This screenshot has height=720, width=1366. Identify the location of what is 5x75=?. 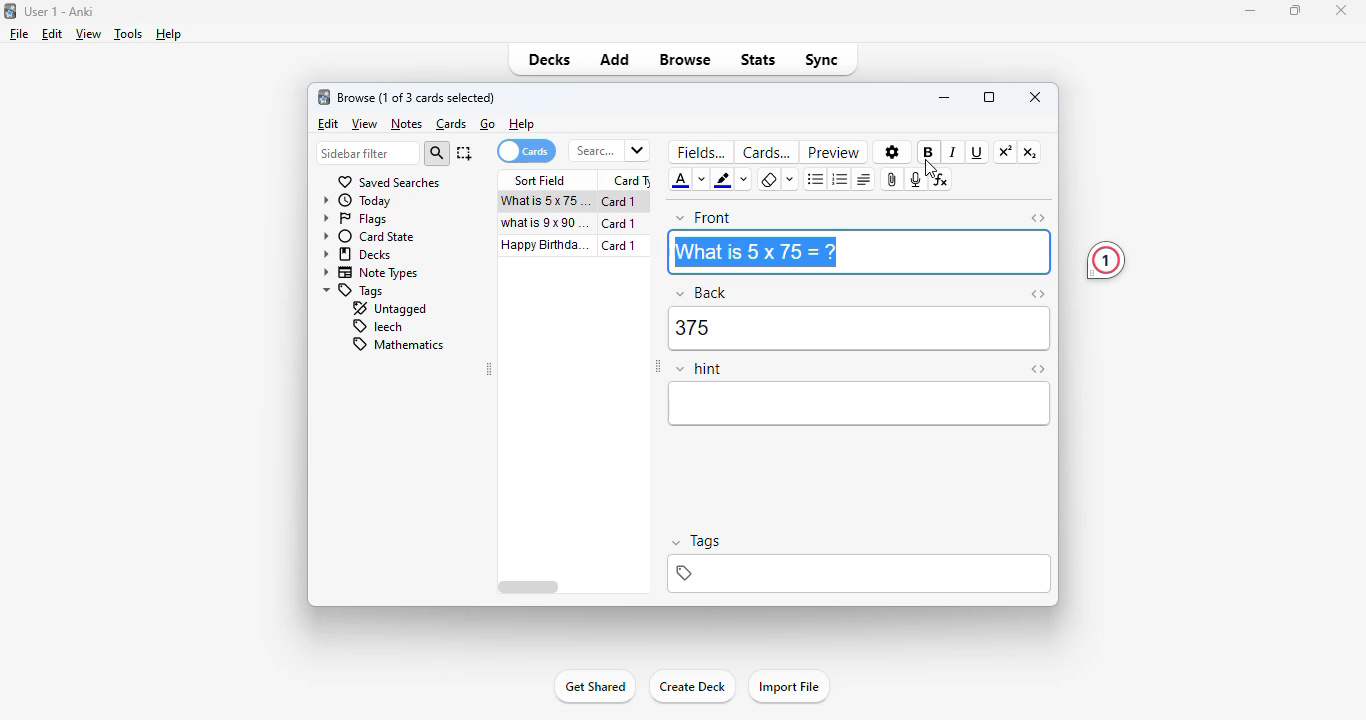
(546, 201).